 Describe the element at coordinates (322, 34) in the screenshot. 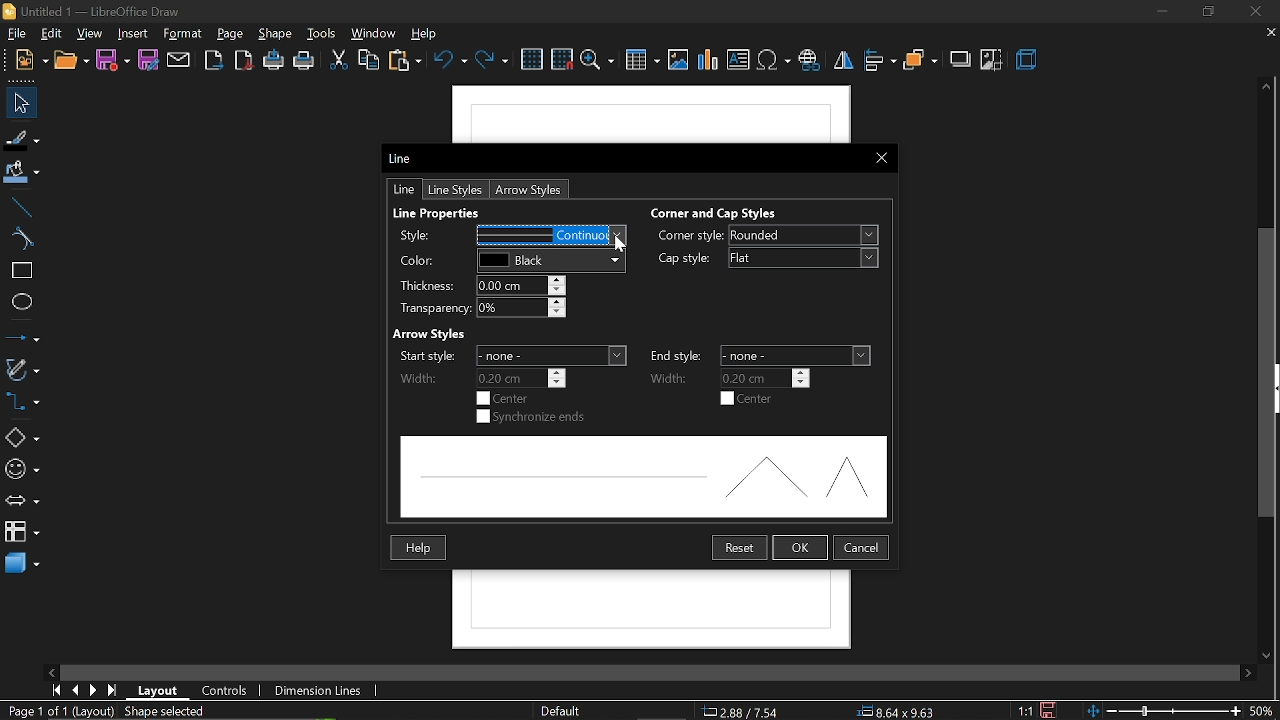

I see `tools` at that location.